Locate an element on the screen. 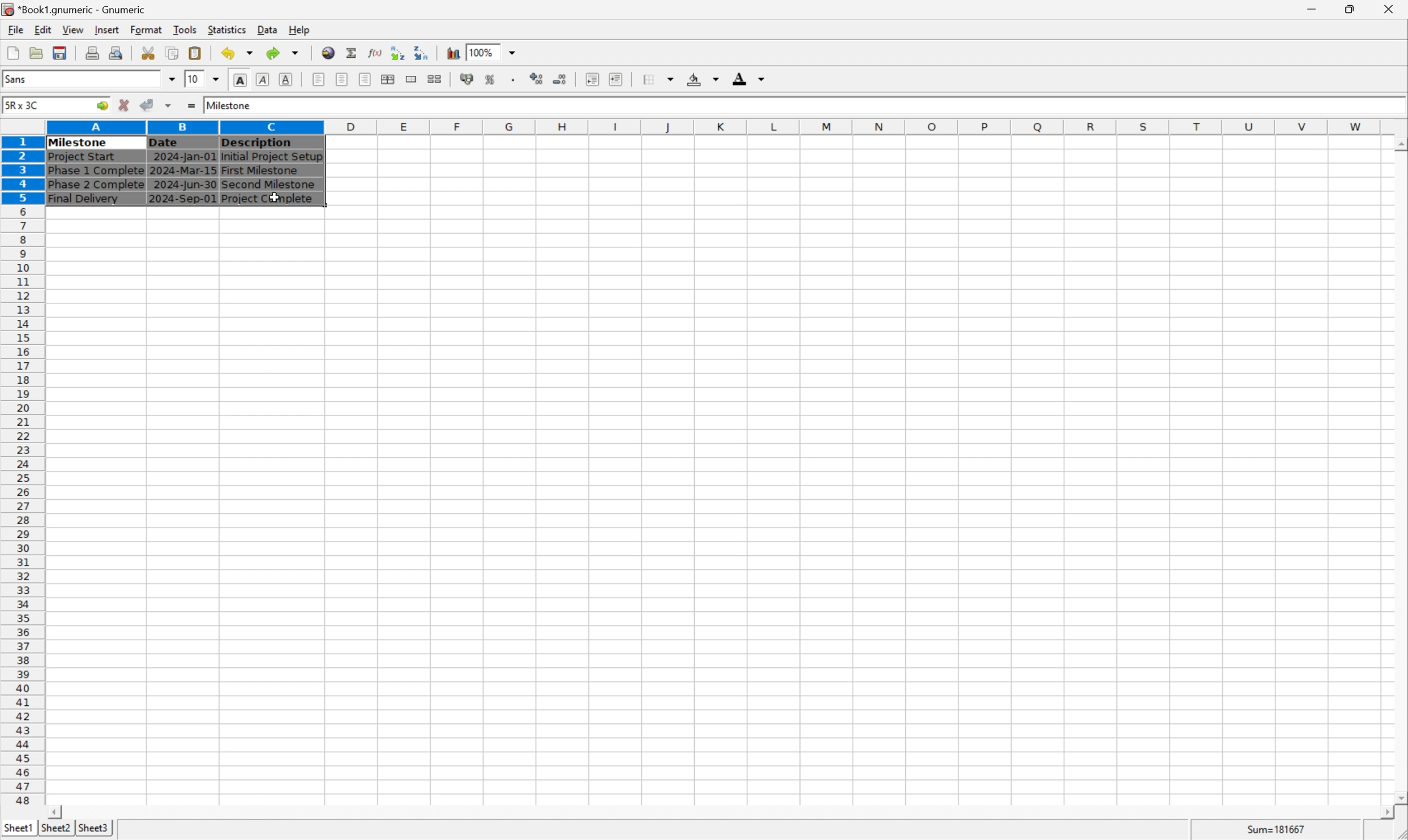 The height and width of the screenshot is (840, 1408). Application name is located at coordinates (75, 10).